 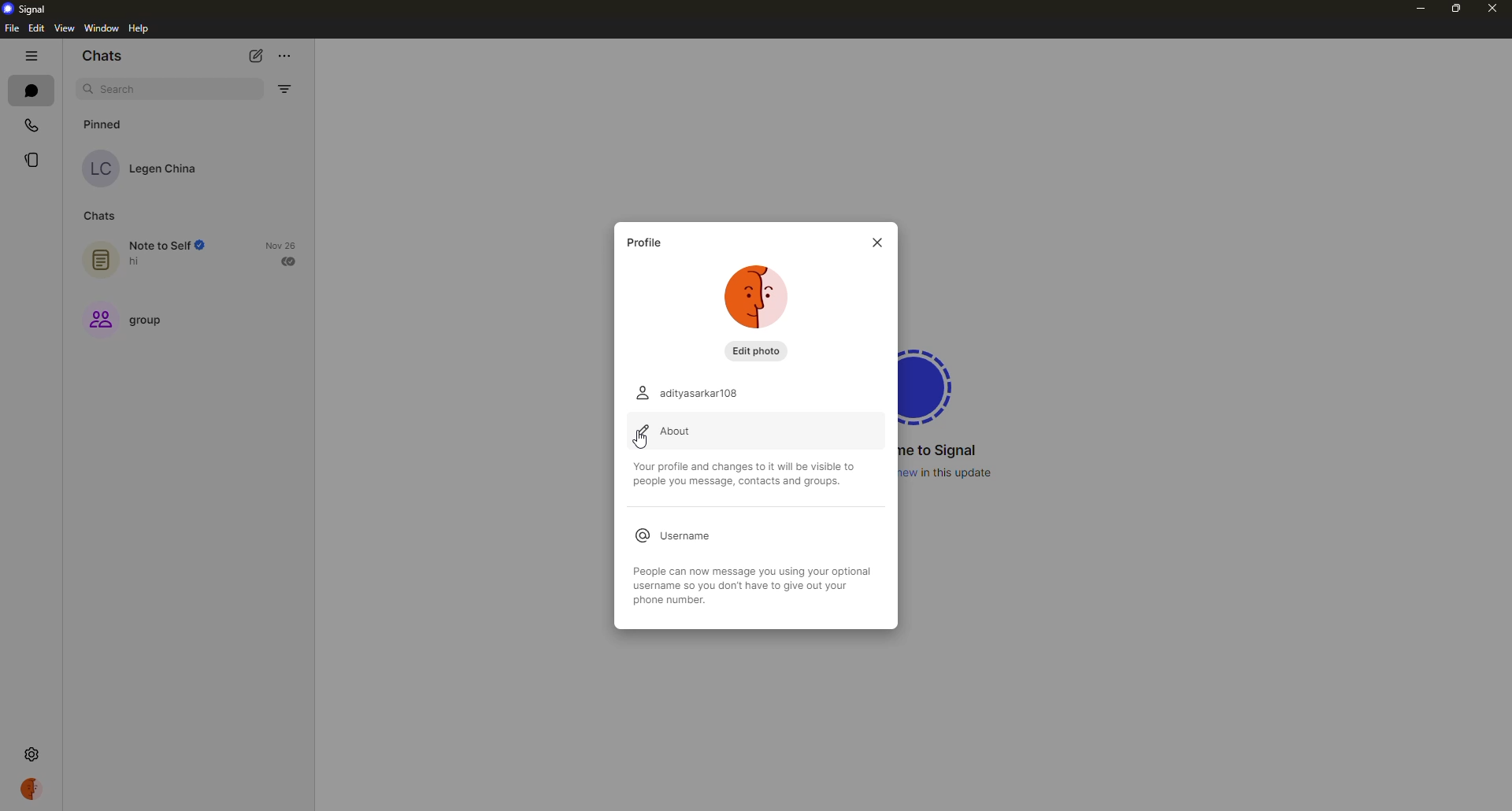 What do you see at coordinates (1492, 7) in the screenshot?
I see `close` at bounding box center [1492, 7].